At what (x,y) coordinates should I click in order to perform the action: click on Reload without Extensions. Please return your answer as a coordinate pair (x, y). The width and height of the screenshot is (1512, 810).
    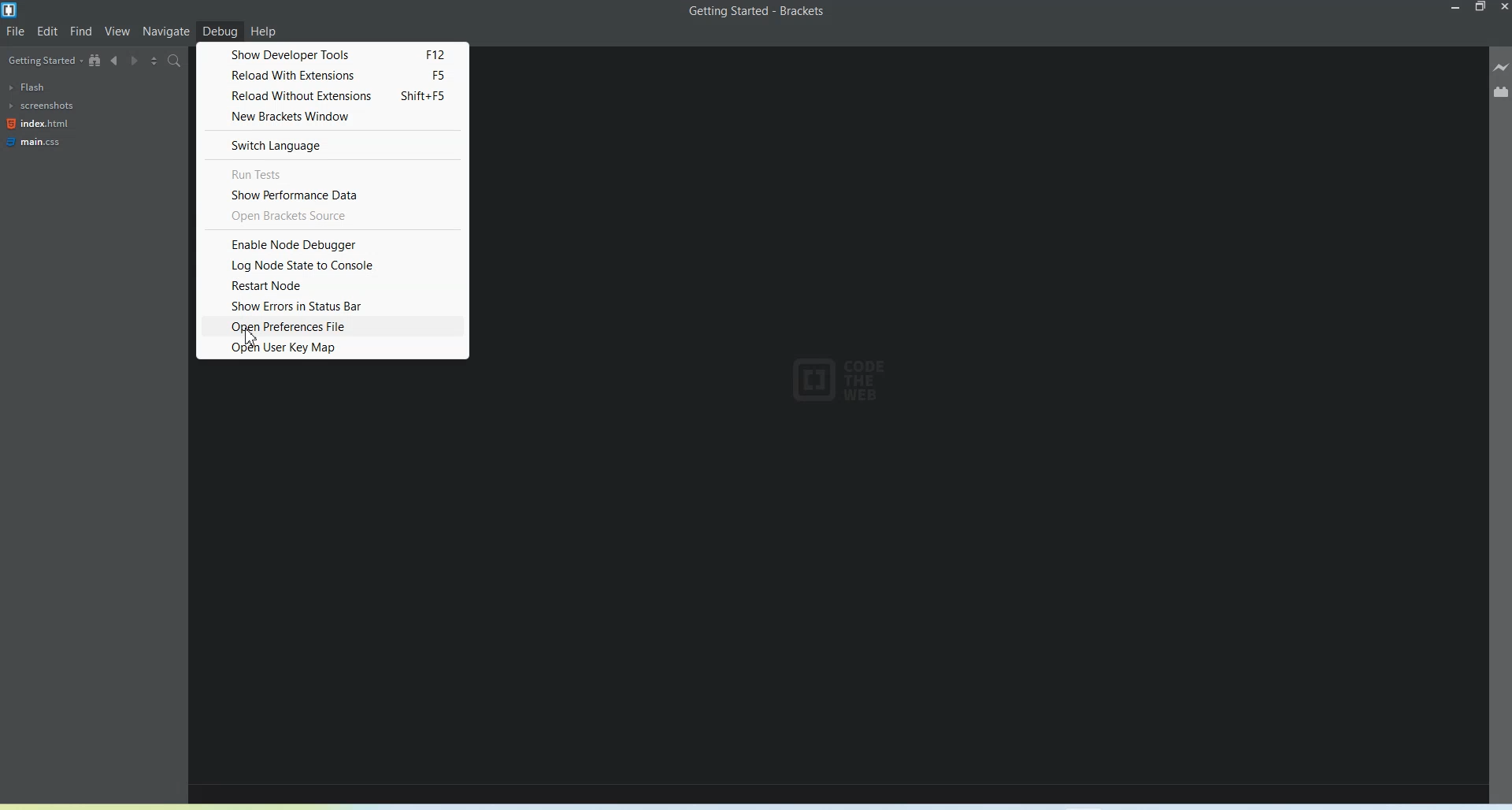
    Looking at the image, I should click on (332, 95).